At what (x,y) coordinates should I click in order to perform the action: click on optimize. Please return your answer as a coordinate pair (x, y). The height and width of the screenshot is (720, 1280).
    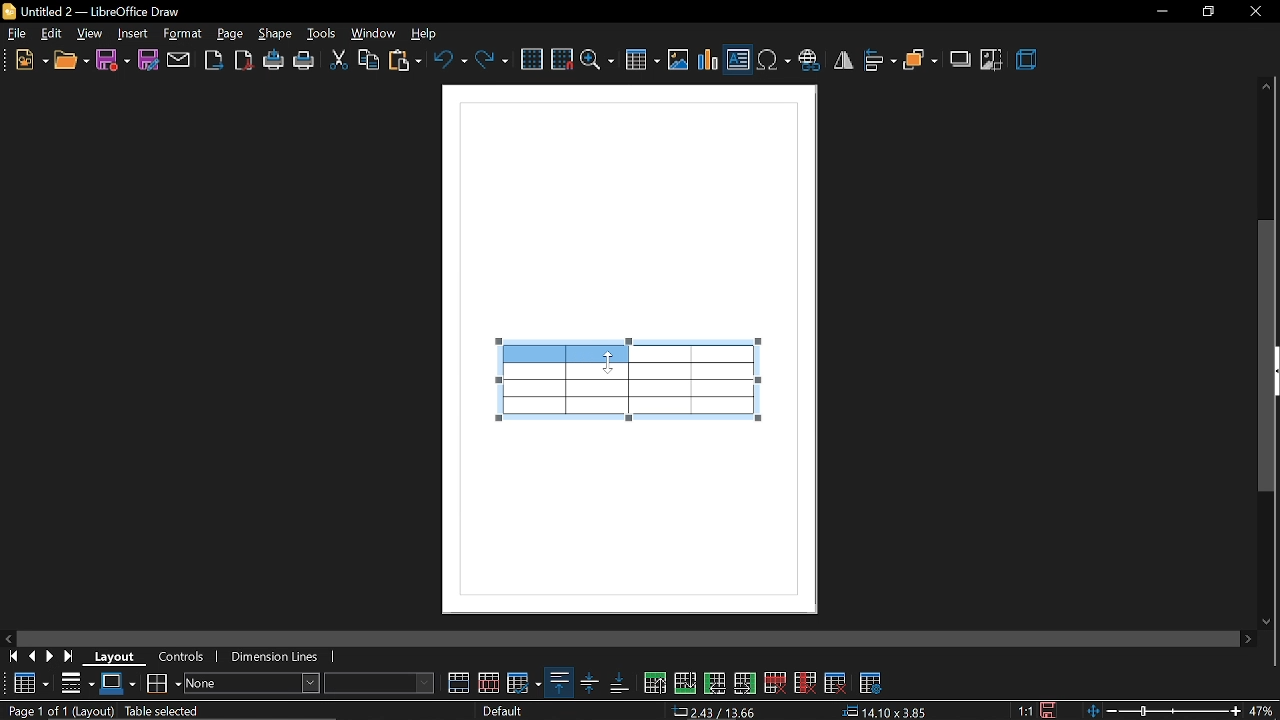
    Looking at the image, I should click on (524, 683).